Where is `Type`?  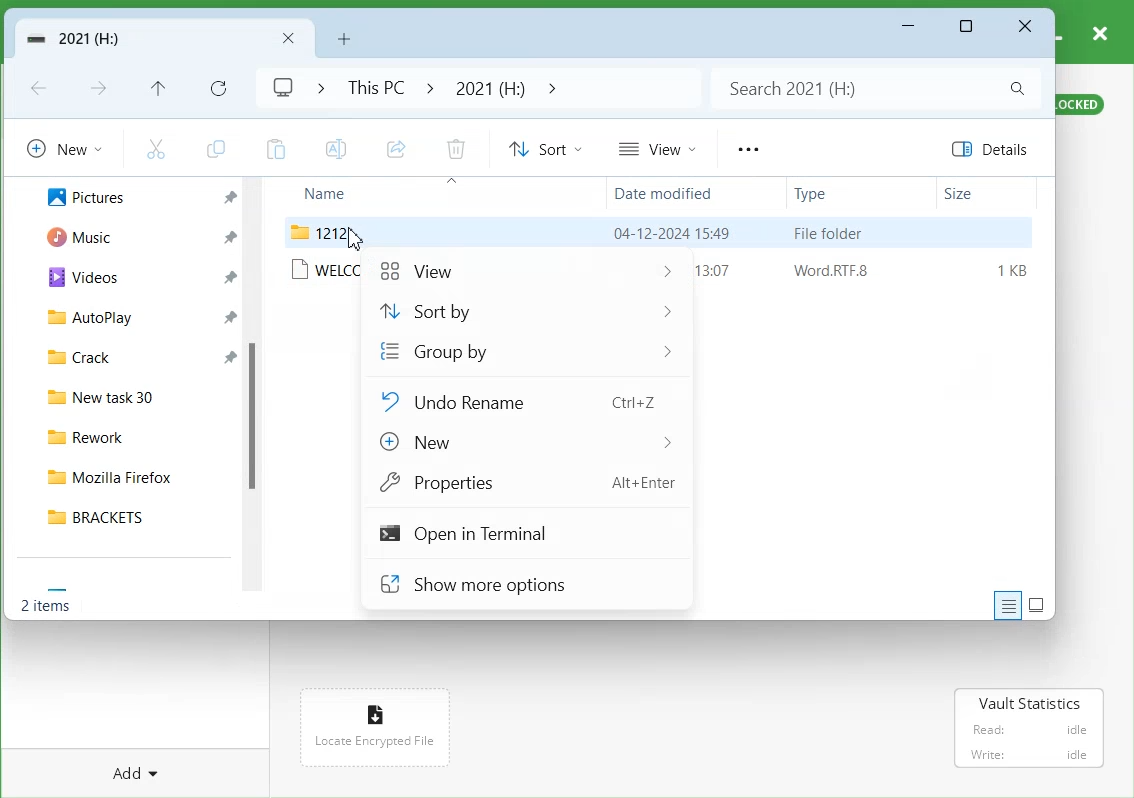
Type is located at coordinates (840, 195).